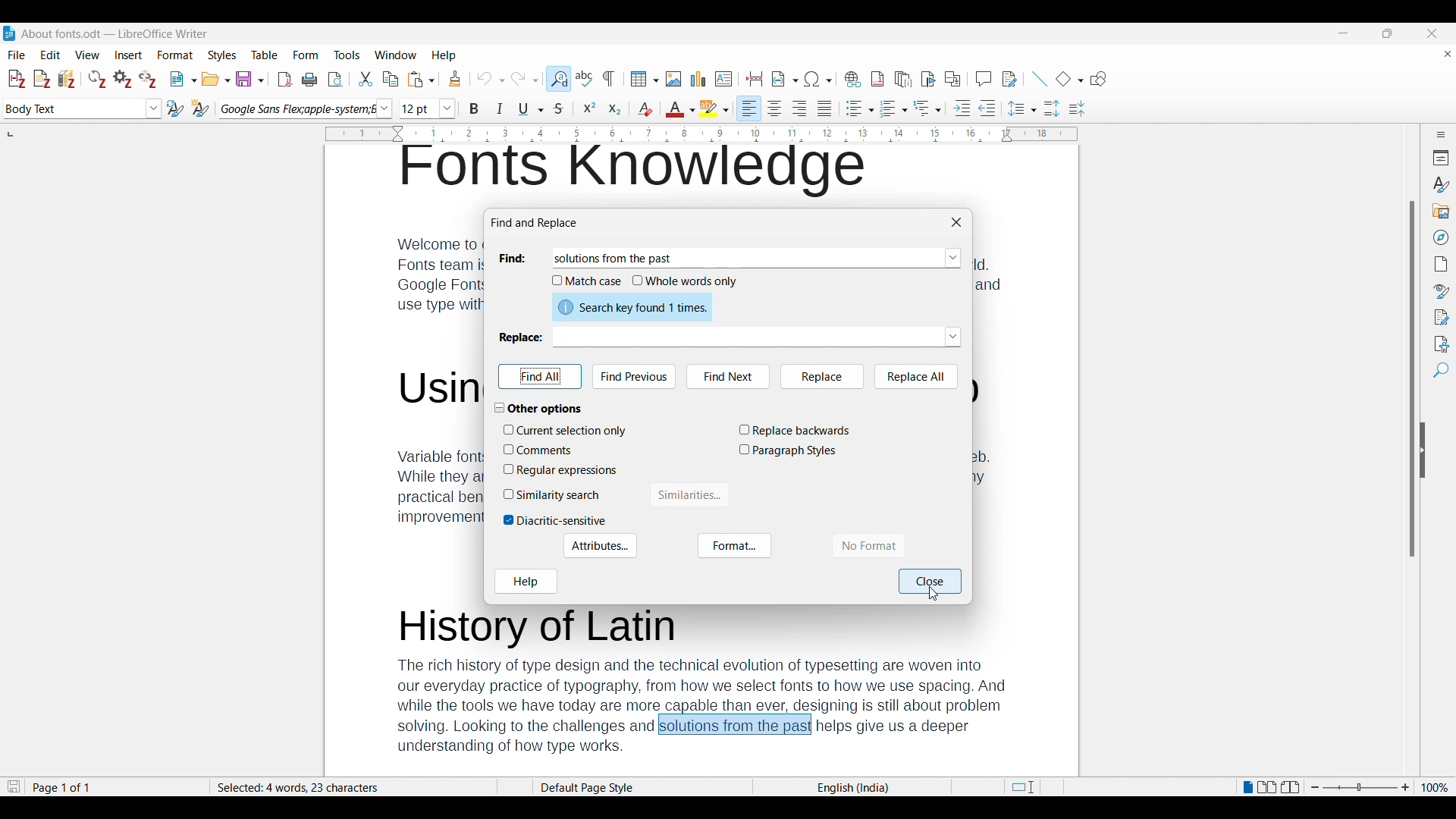 The image size is (1456, 819). Describe the element at coordinates (930, 582) in the screenshot. I see `Close highlighted due to selection` at that location.